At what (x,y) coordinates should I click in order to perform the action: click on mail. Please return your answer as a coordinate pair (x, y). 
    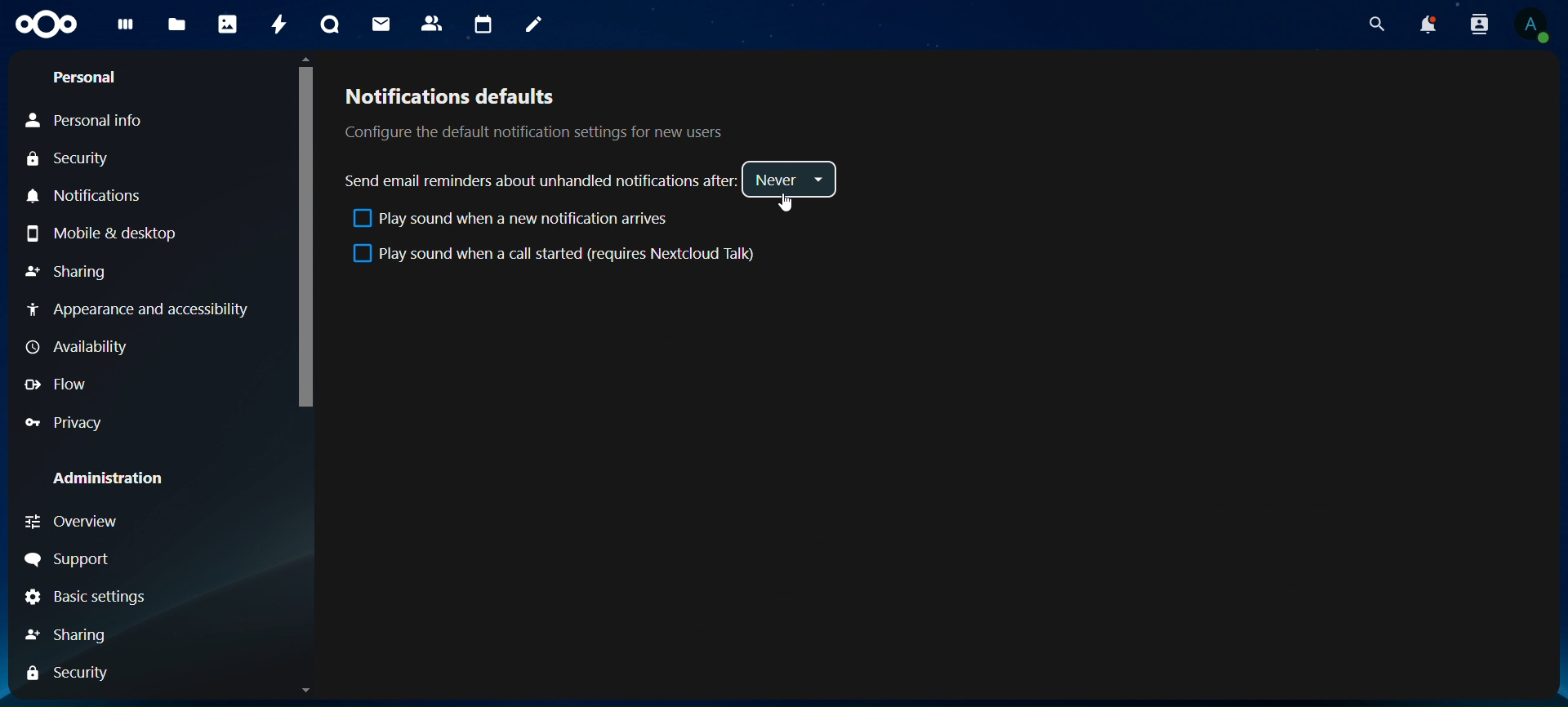
    Looking at the image, I should click on (383, 23).